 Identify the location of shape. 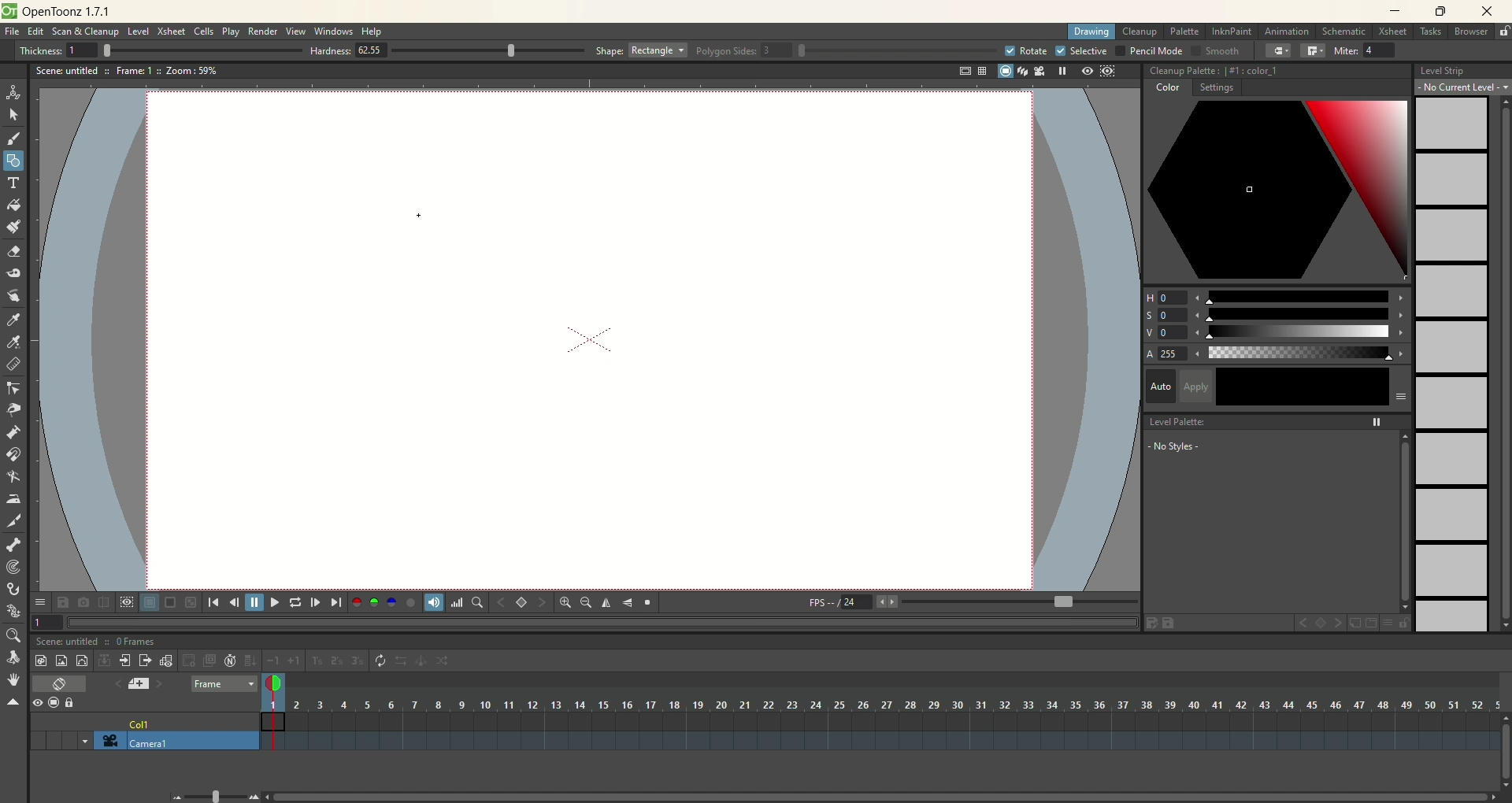
(642, 50).